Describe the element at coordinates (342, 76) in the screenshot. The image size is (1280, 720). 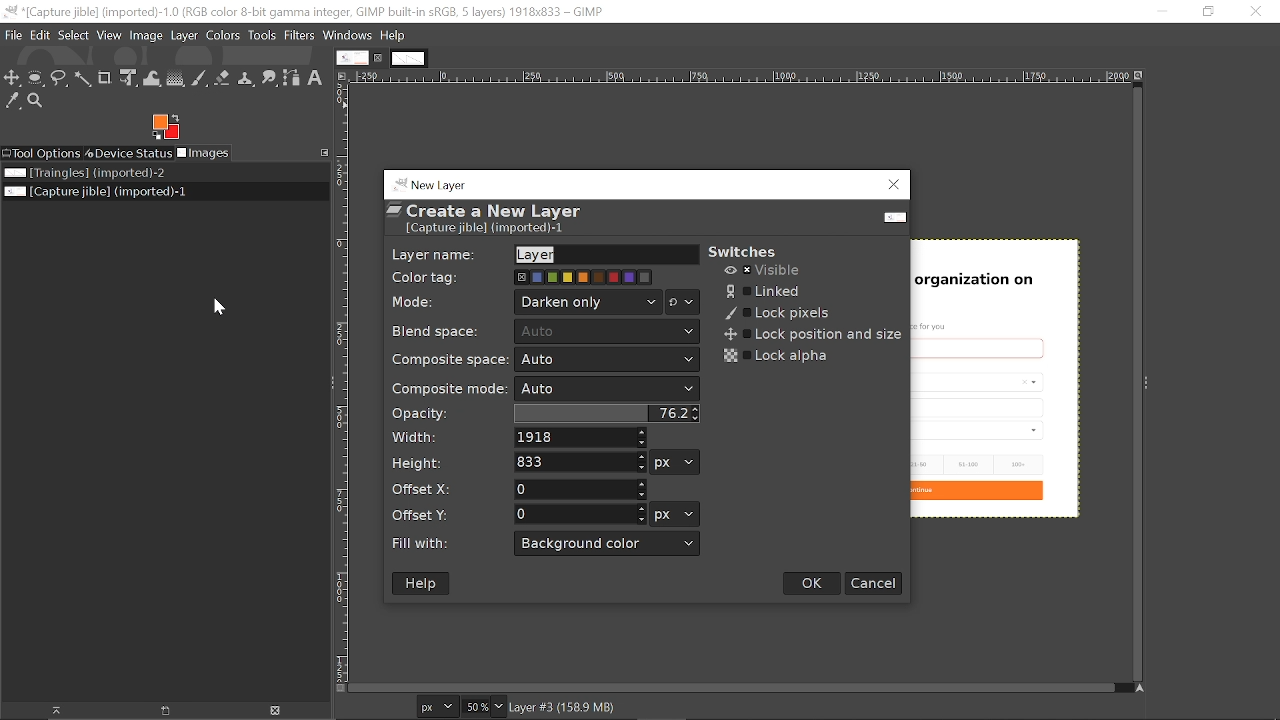
I see `Access this image menu` at that location.